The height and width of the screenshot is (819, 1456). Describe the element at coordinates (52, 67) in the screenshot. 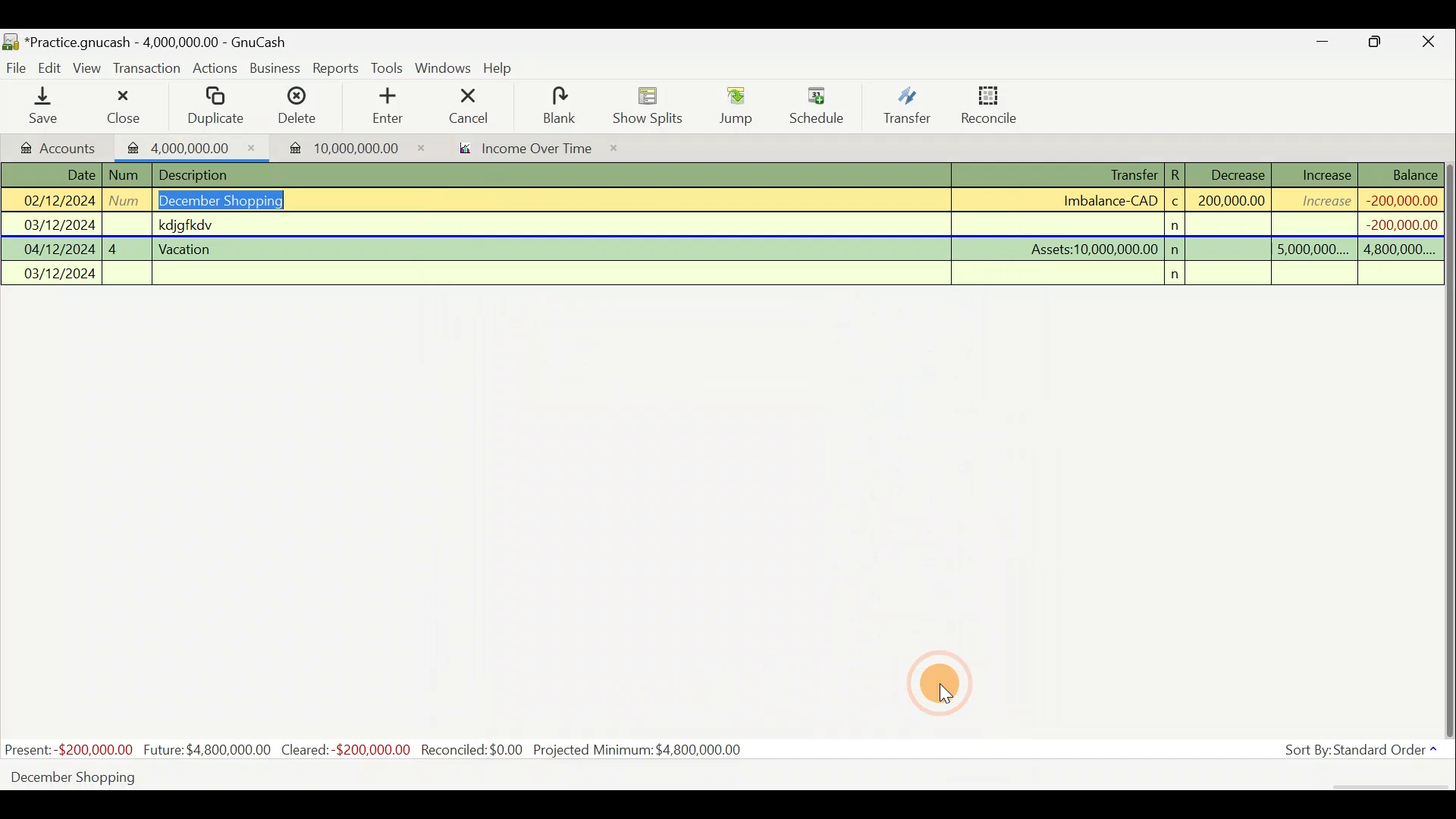

I see `Edit` at that location.